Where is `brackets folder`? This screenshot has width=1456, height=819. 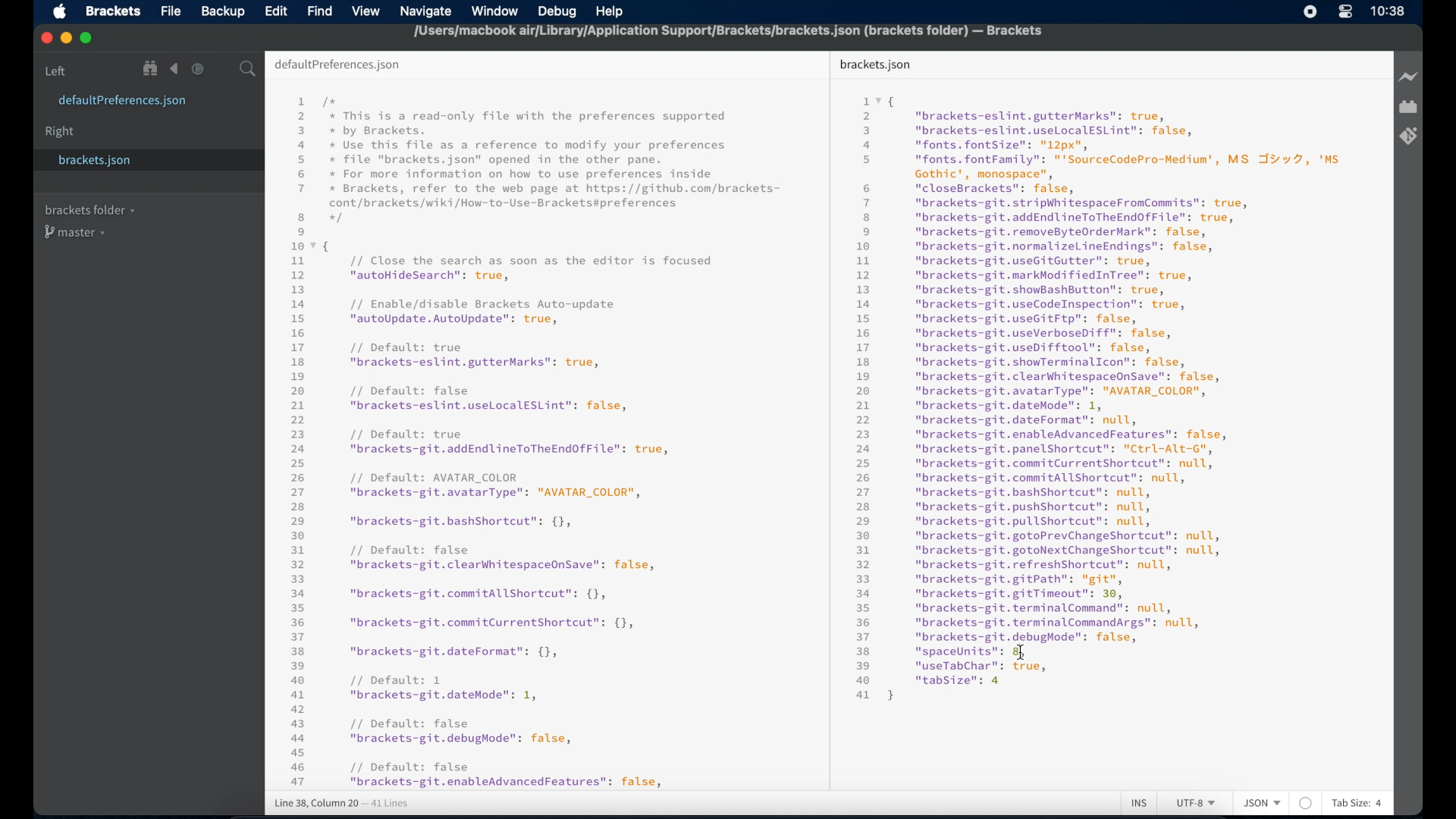 brackets folder is located at coordinates (89, 209).